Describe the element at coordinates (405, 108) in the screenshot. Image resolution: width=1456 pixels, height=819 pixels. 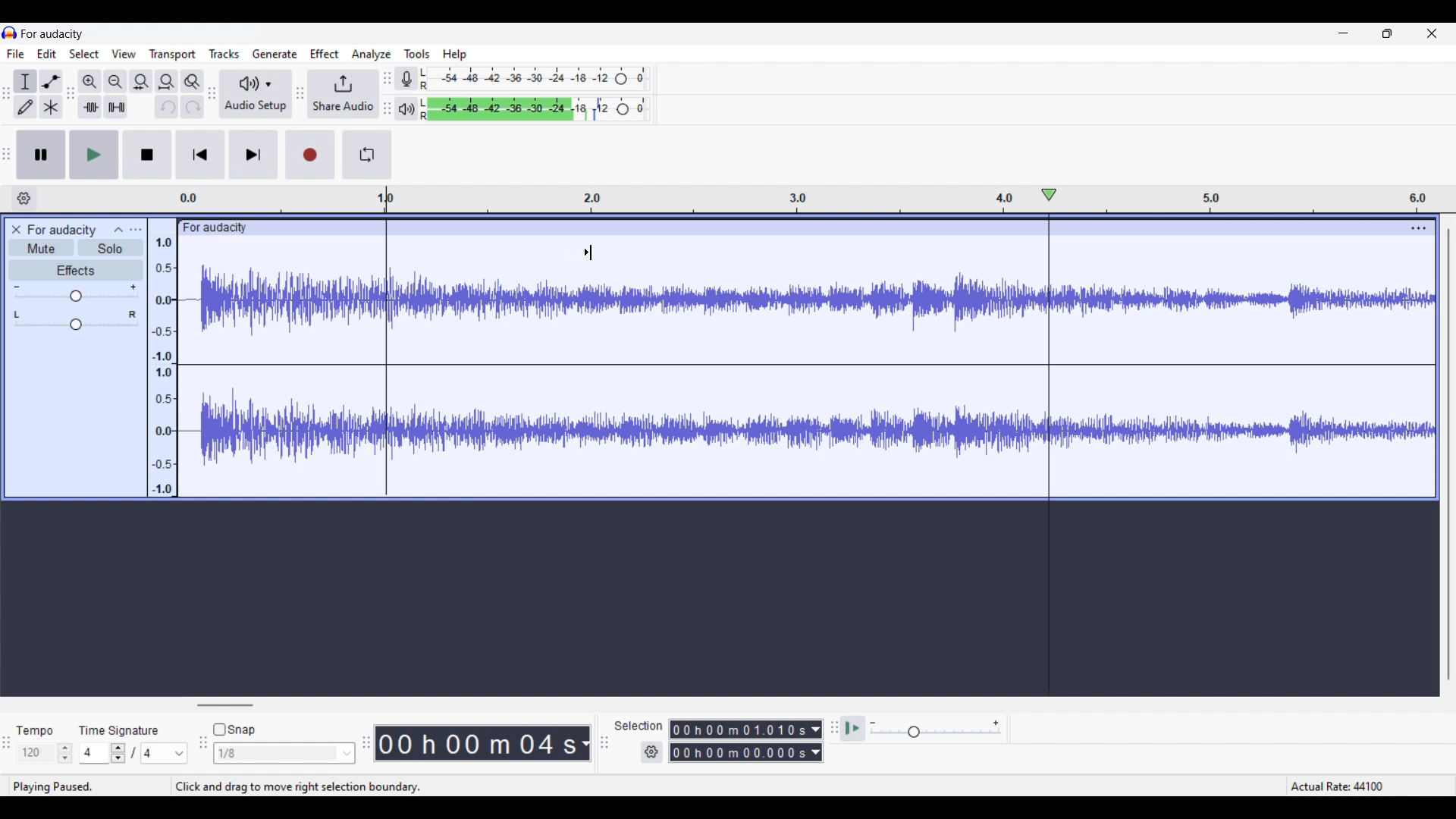
I see `Playback meter` at that location.